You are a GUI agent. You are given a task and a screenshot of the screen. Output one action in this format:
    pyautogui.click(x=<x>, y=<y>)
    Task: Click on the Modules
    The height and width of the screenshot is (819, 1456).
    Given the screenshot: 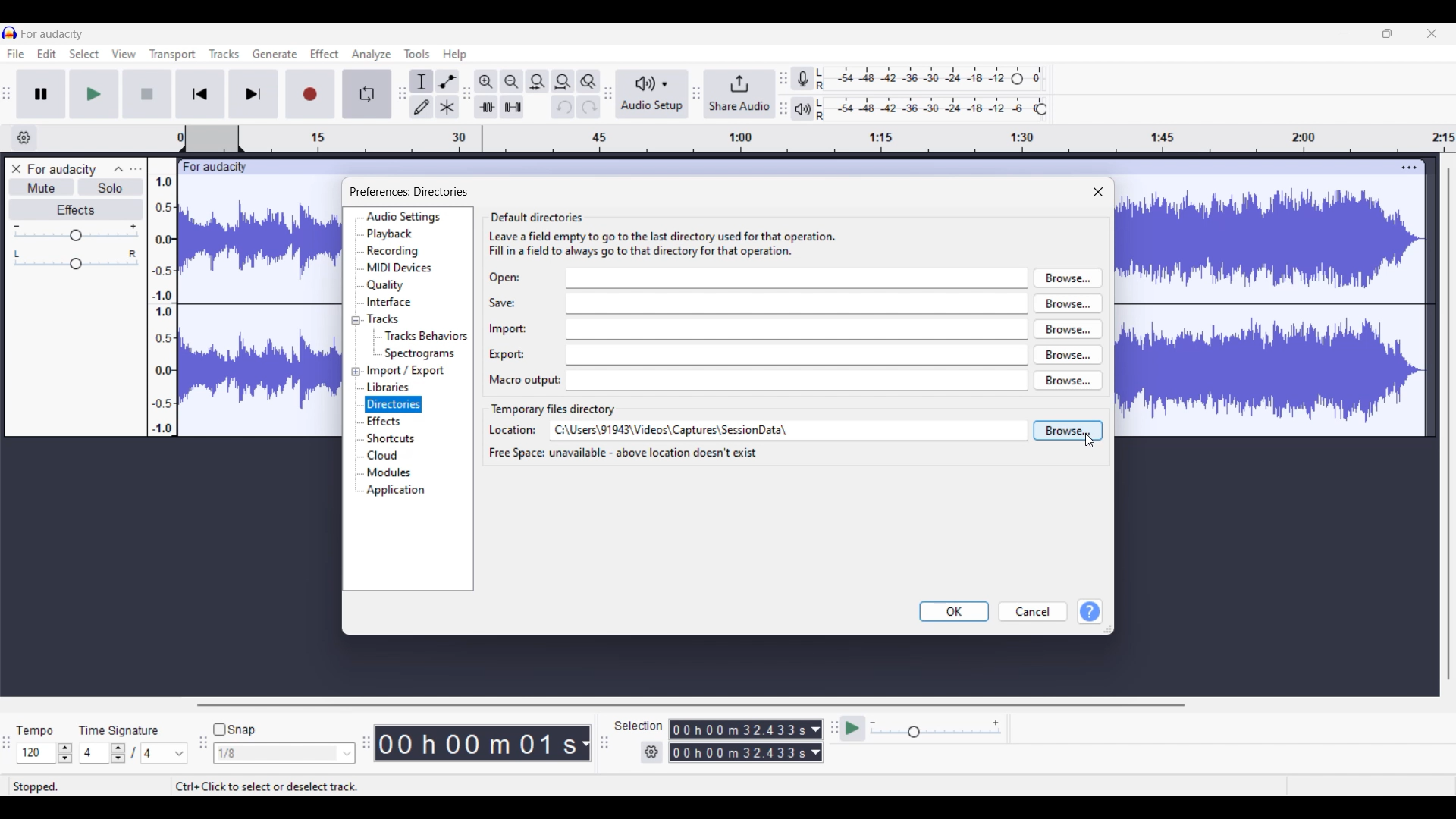 What is the action you would take?
    pyautogui.click(x=389, y=472)
    